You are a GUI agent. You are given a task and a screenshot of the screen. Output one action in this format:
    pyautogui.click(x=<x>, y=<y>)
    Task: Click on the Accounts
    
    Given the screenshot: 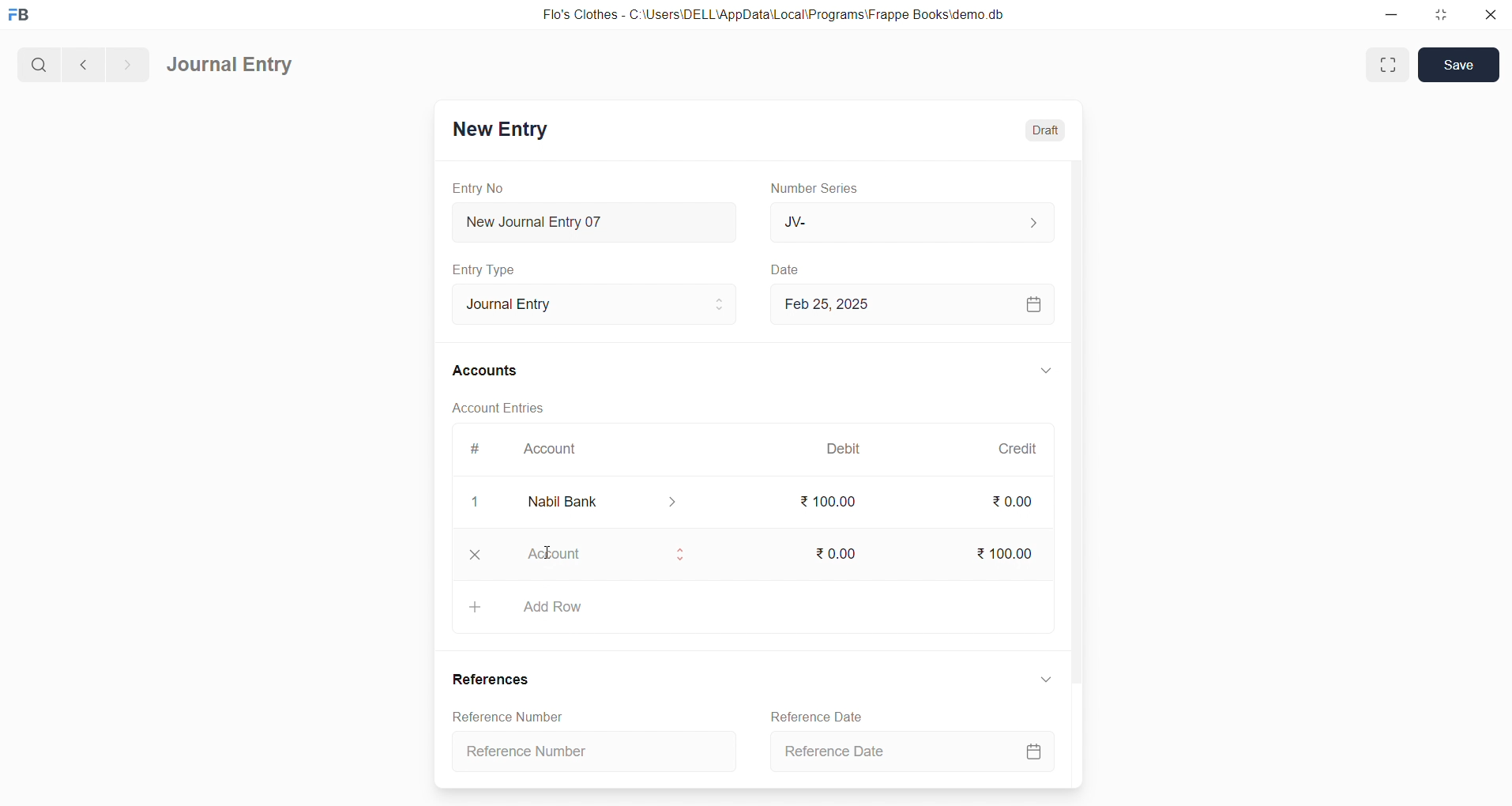 What is the action you would take?
    pyautogui.click(x=486, y=372)
    